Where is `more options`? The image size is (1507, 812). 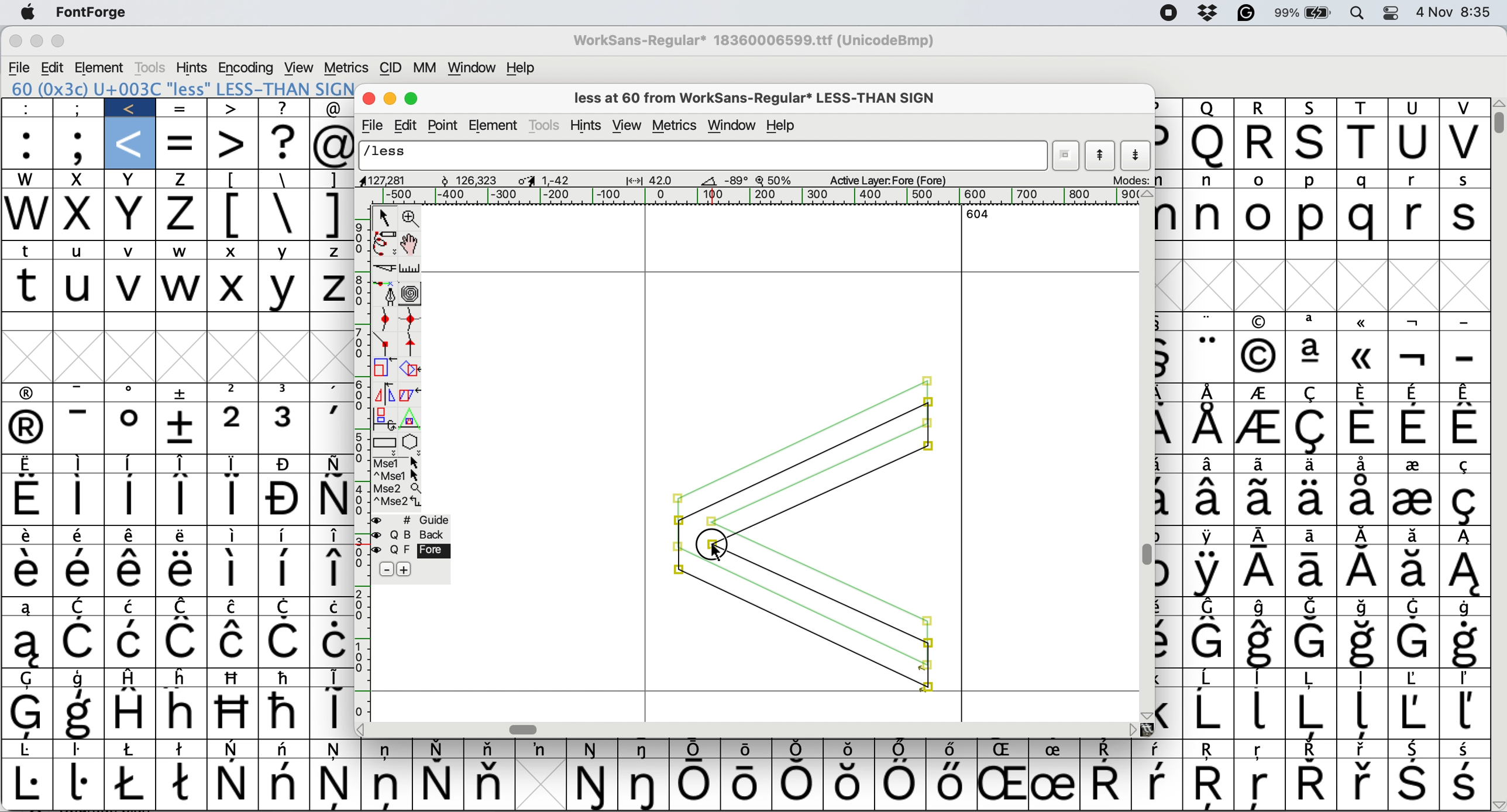
more options is located at coordinates (398, 484).